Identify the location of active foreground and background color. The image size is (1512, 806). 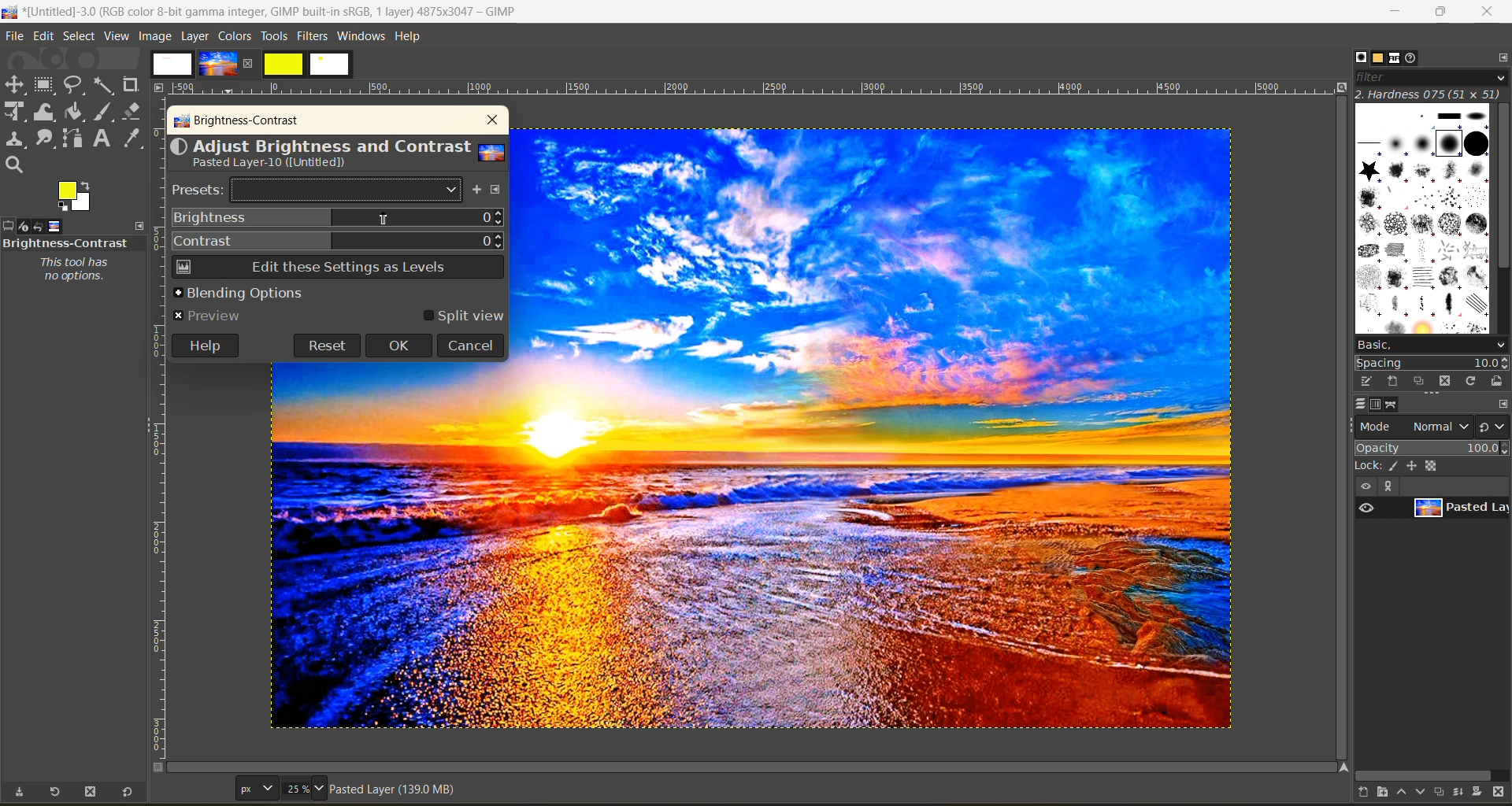
(76, 197).